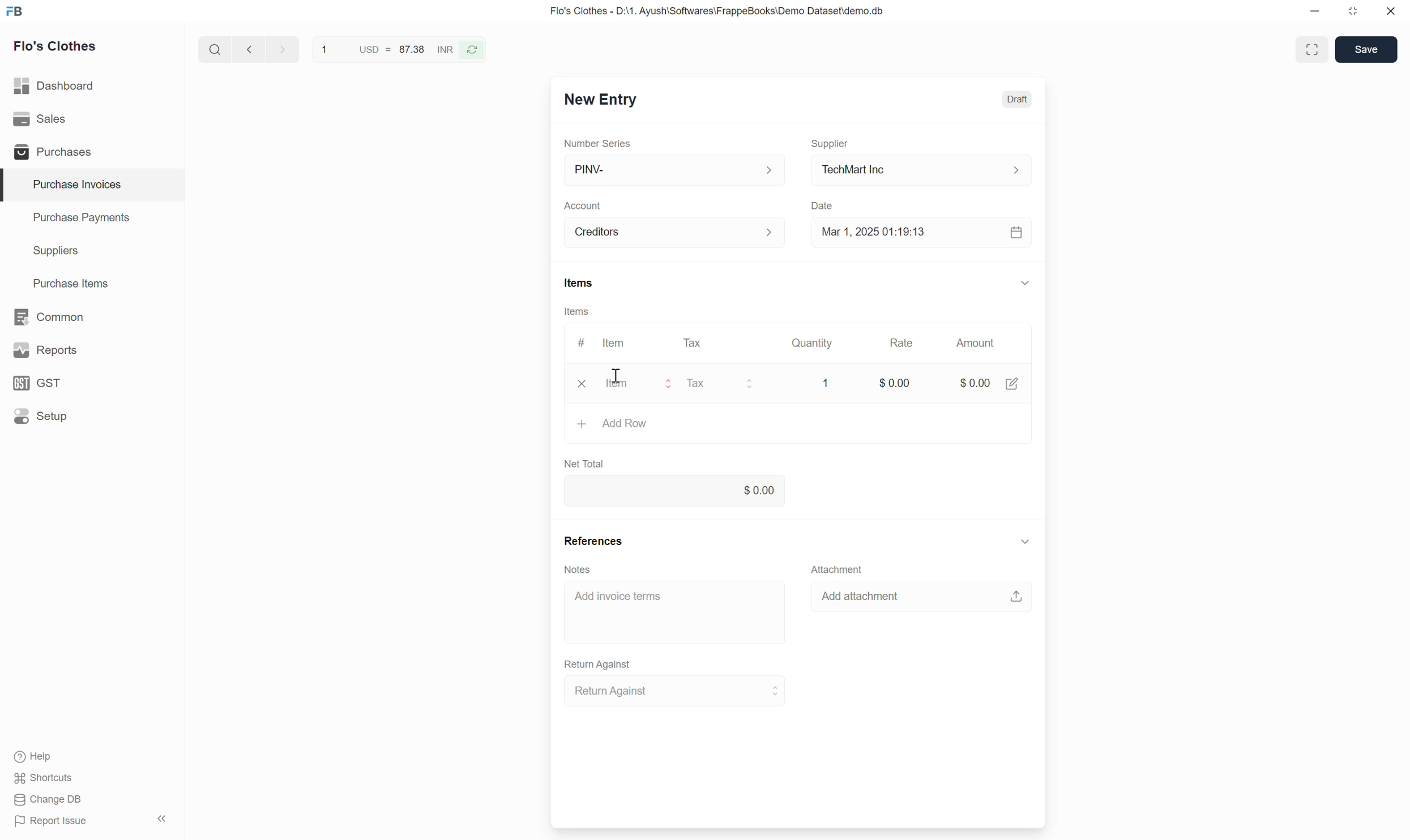  Describe the element at coordinates (616, 345) in the screenshot. I see `ltem` at that location.